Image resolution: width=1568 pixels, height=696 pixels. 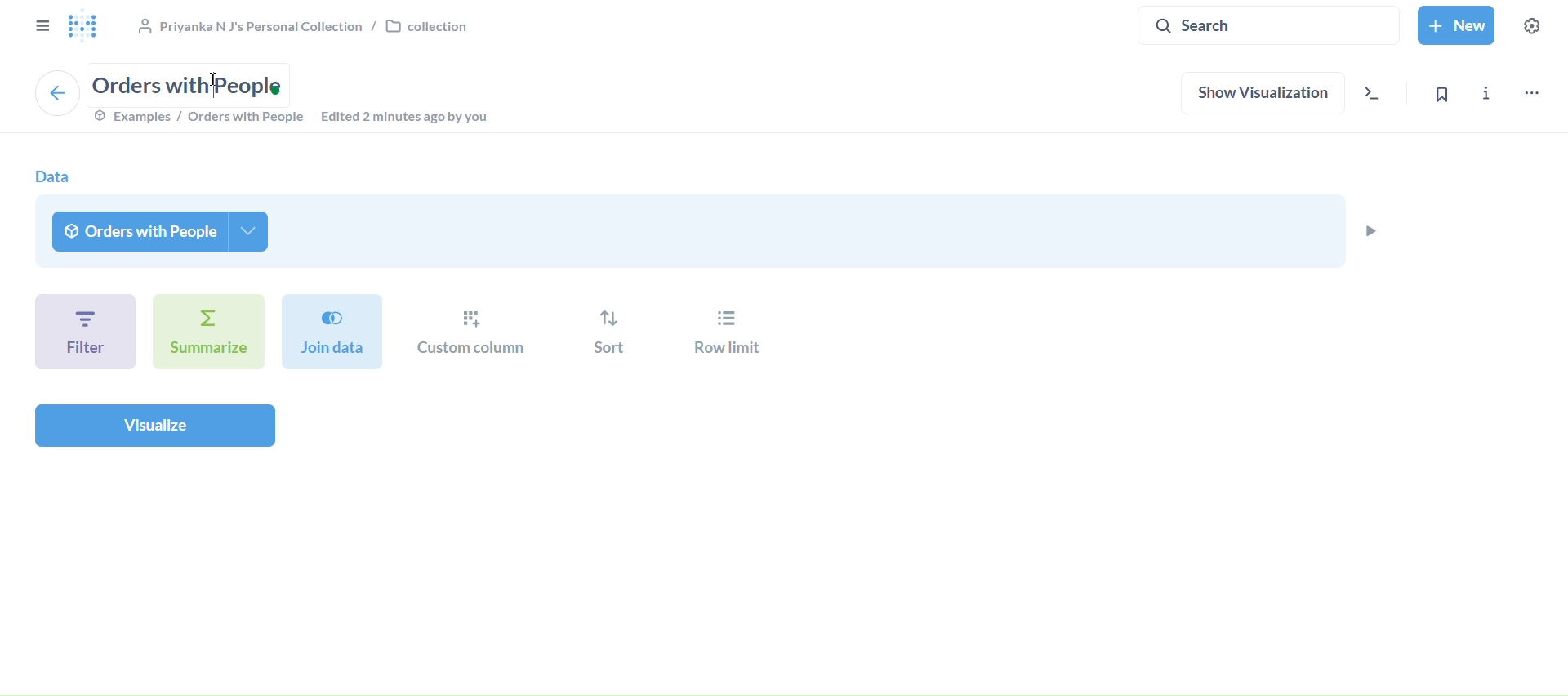 What do you see at coordinates (193, 83) in the screenshot?
I see `orders with people` at bounding box center [193, 83].